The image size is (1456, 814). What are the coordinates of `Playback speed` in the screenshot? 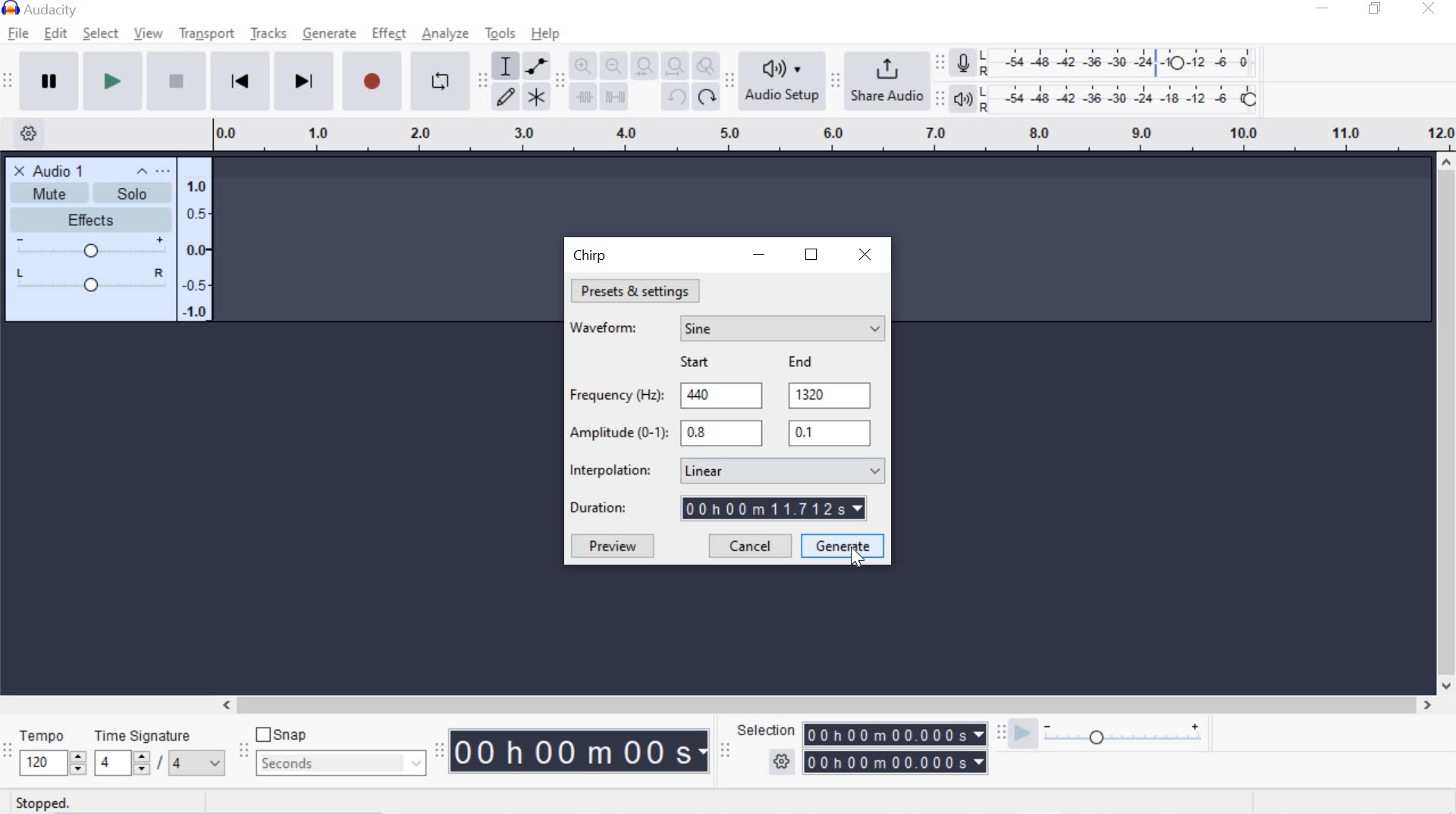 It's located at (1122, 738).